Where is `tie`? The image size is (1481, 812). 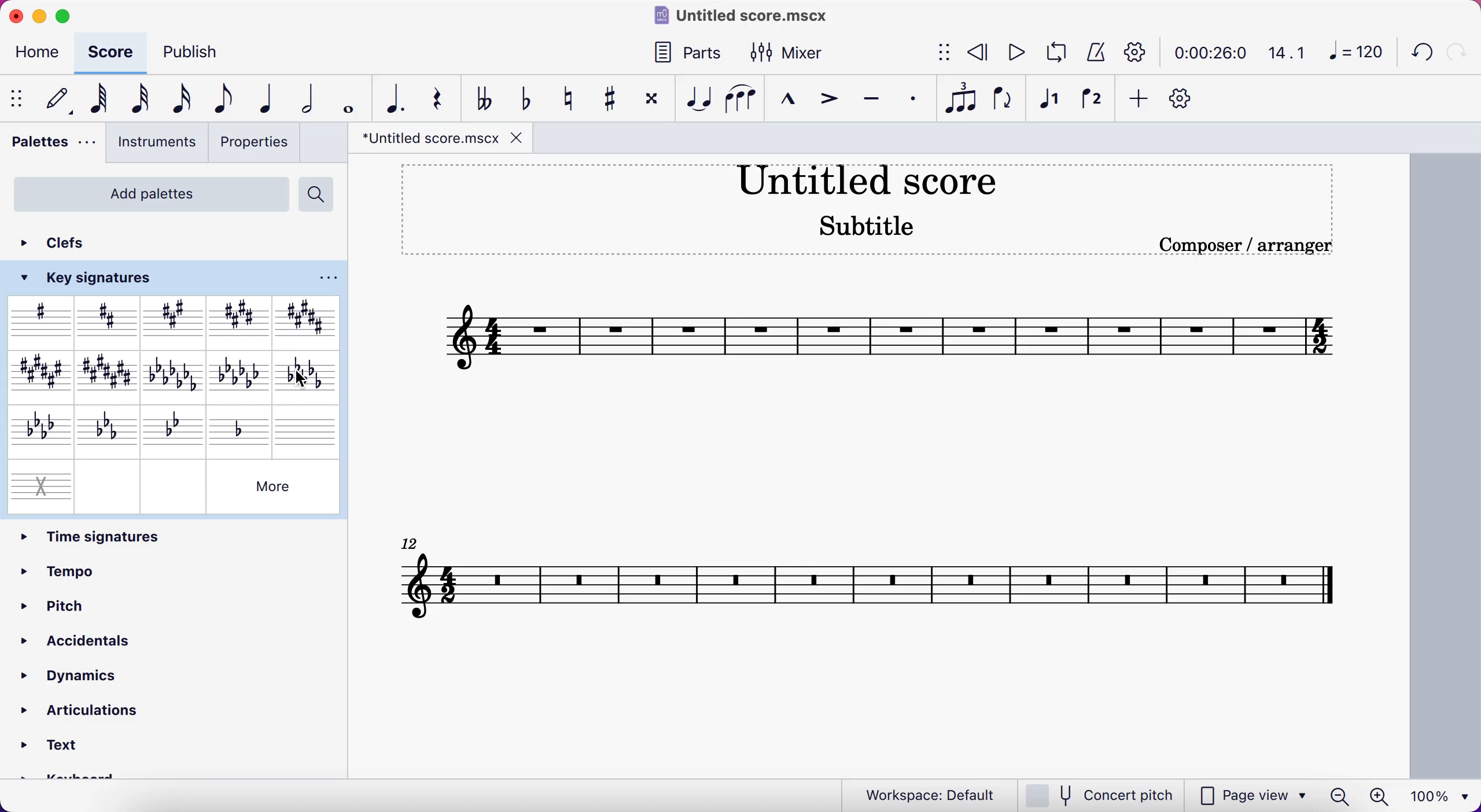
tie is located at coordinates (698, 101).